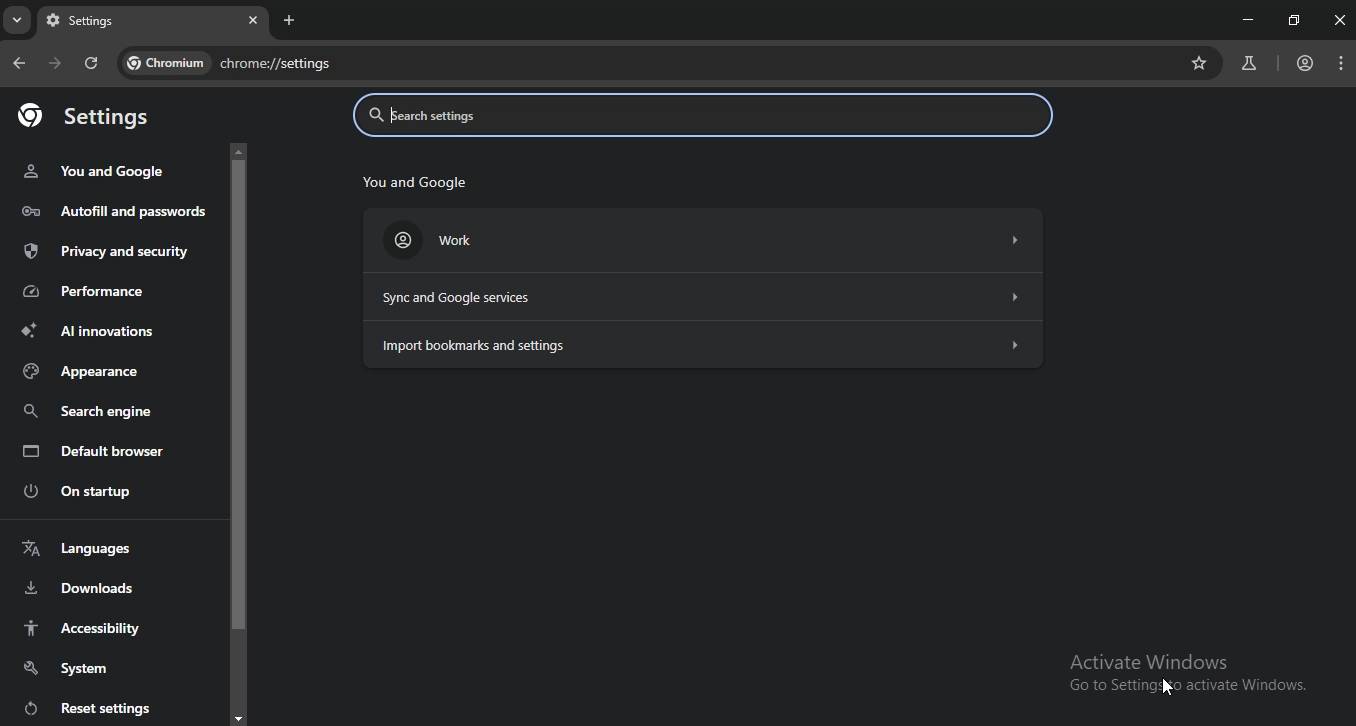  Describe the element at coordinates (56, 65) in the screenshot. I see `next page` at that location.